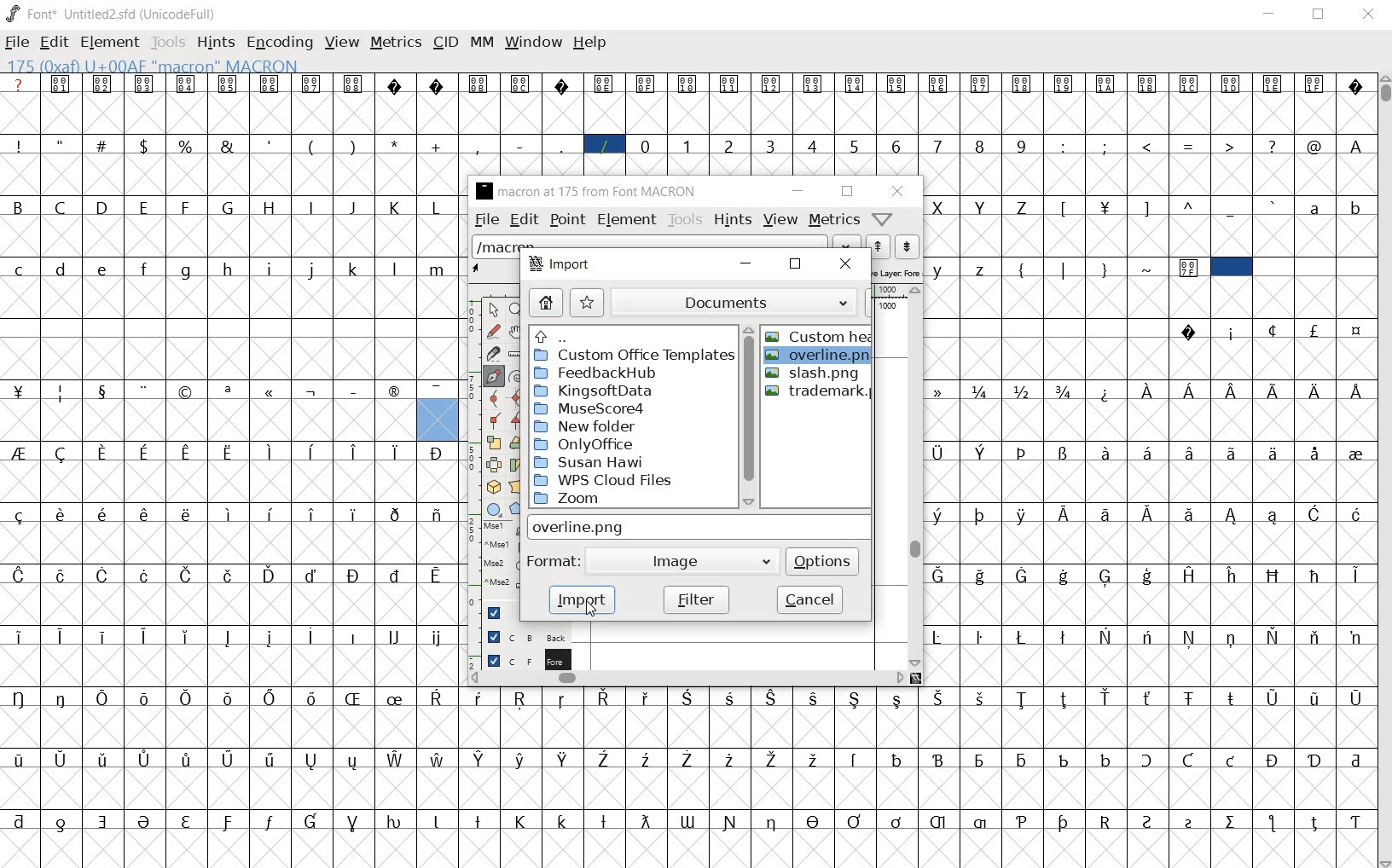 The width and height of the screenshot is (1392, 868). I want to click on d, so click(61, 268).